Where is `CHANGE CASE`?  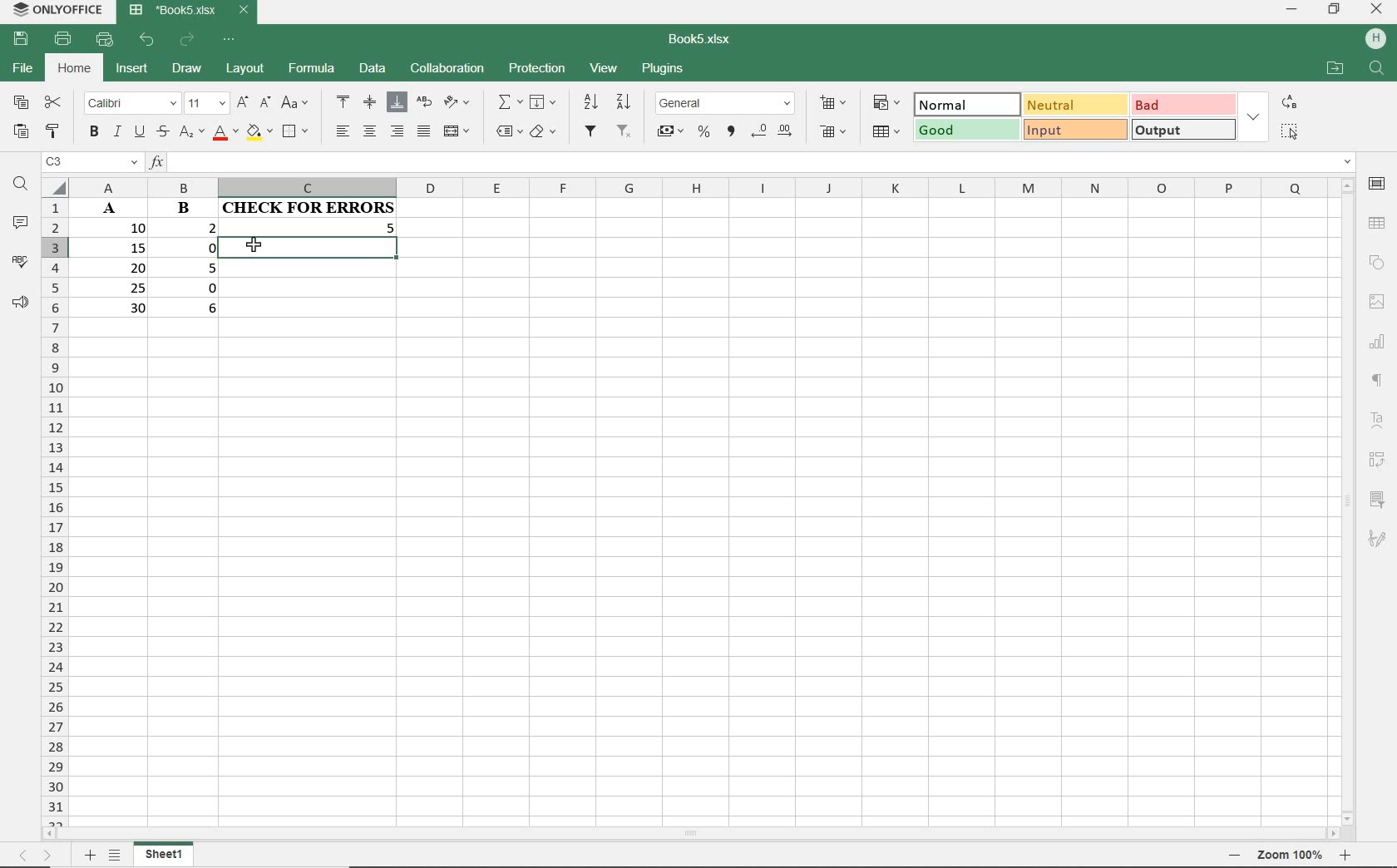 CHANGE CASE is located at coordinates (296, 103).